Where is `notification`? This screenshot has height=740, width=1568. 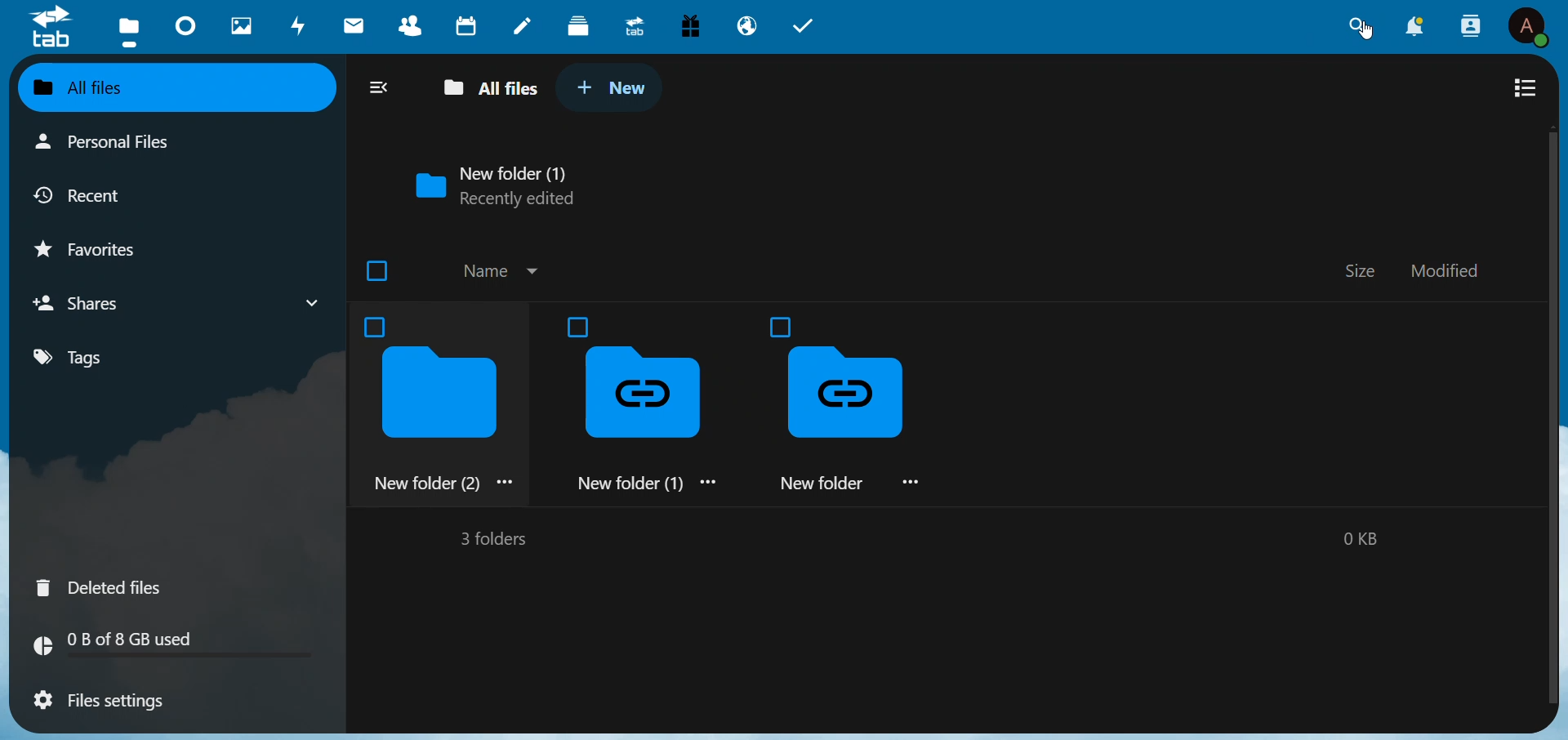 notification is located at coordinates (1418, 25).